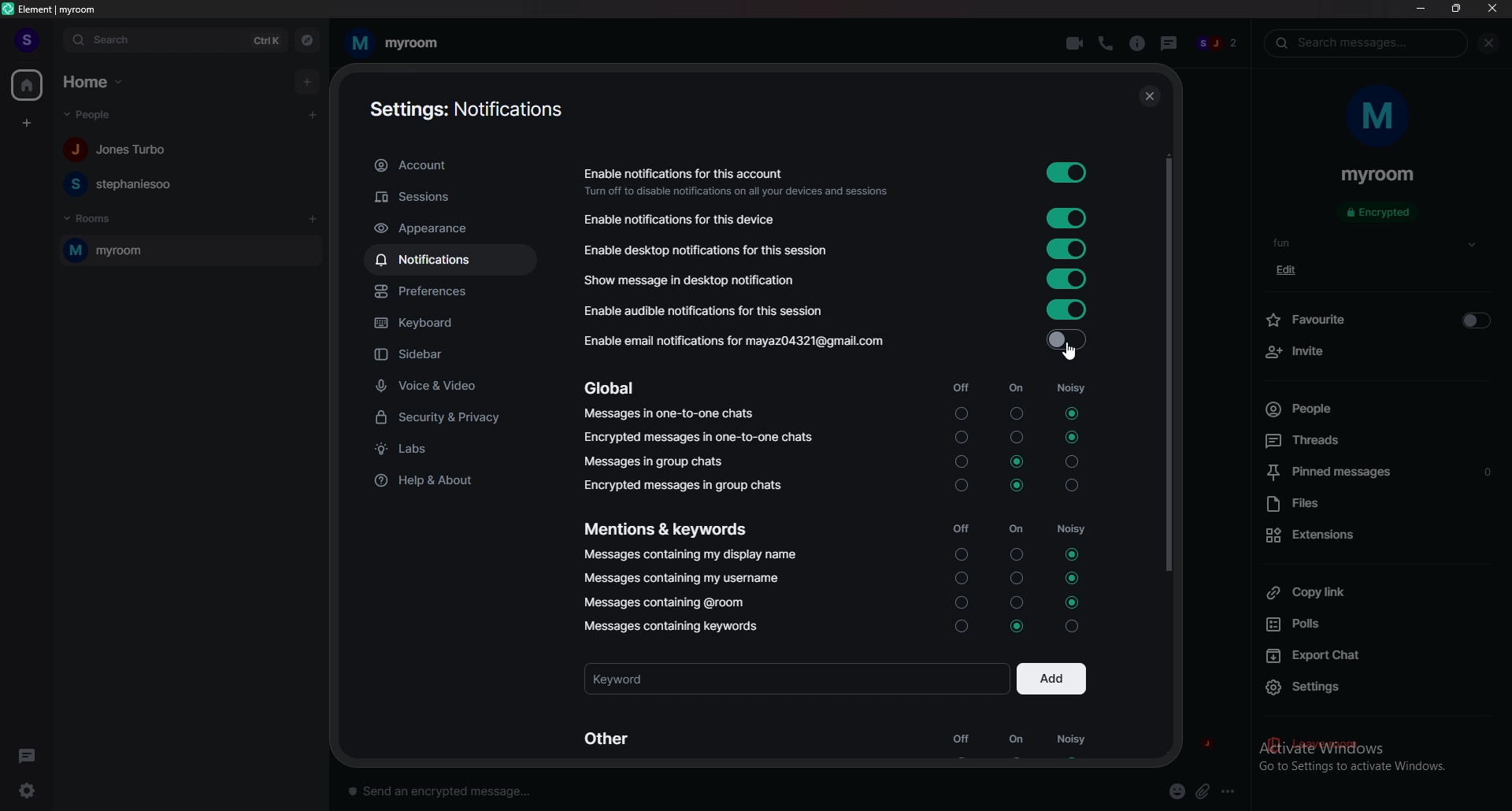 This screenshot has height=811, width=1512. I want to click on sidebar, so click(454, 355).